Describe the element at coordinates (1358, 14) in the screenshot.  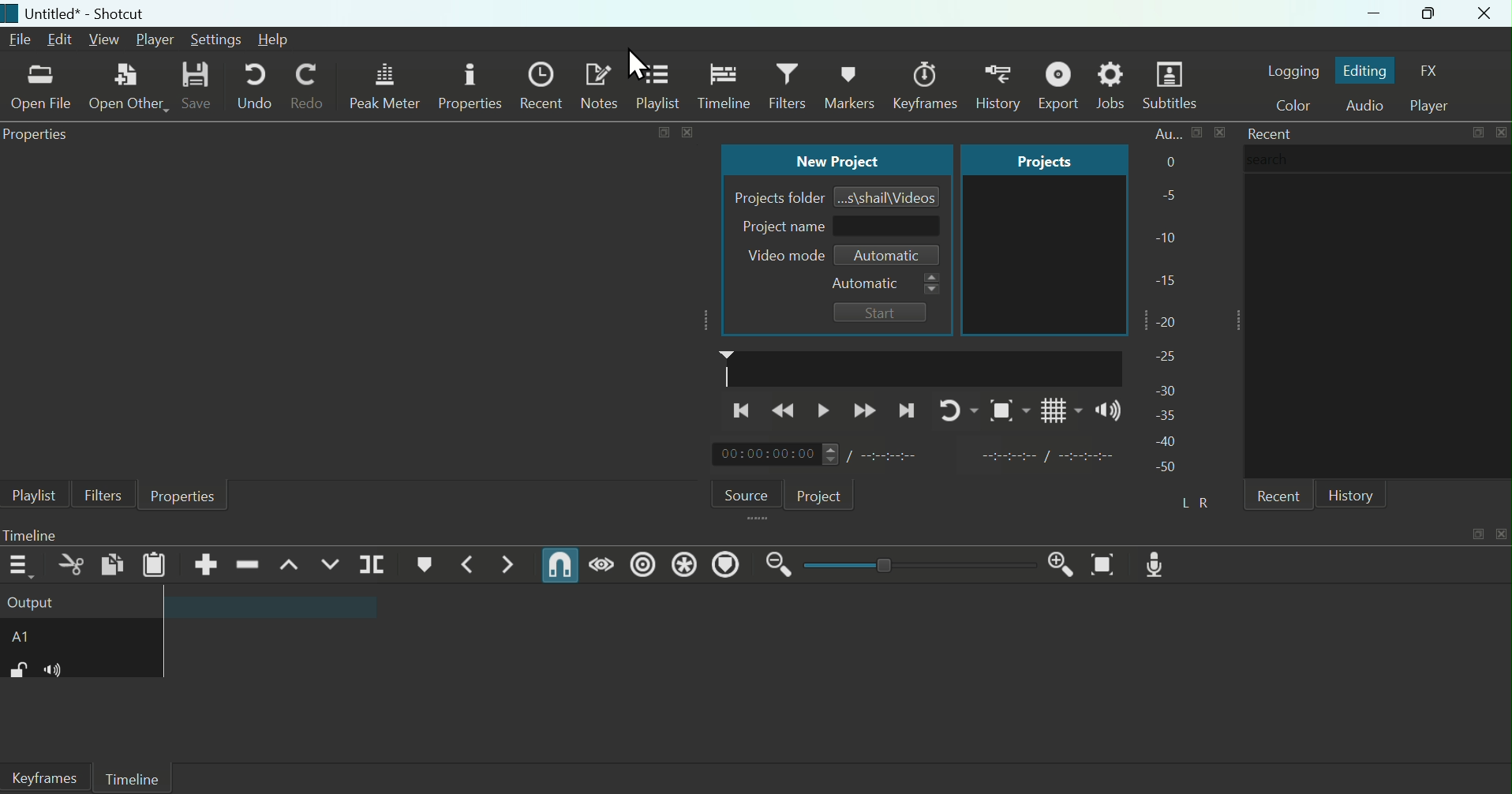
I see `Minimize` at that location.